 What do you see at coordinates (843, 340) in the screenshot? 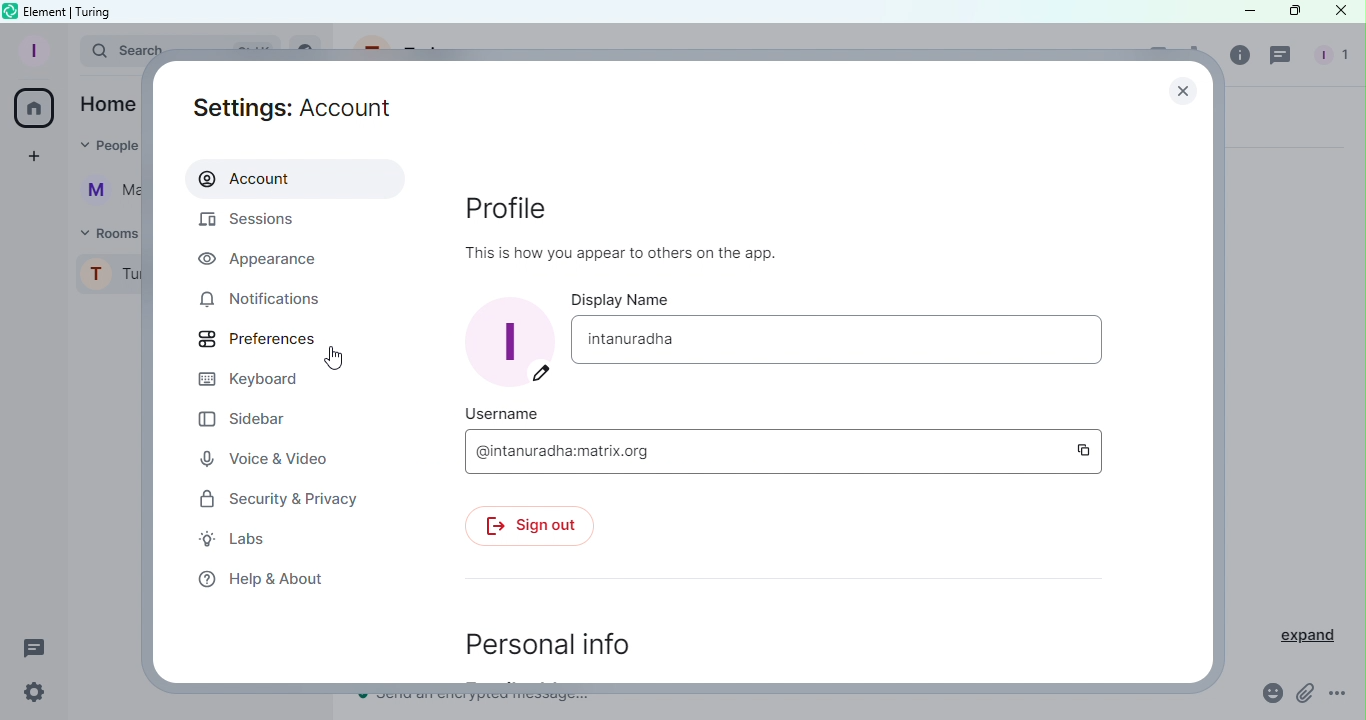
I see `Display name - intanuradha` at bounding box center [843, 340].